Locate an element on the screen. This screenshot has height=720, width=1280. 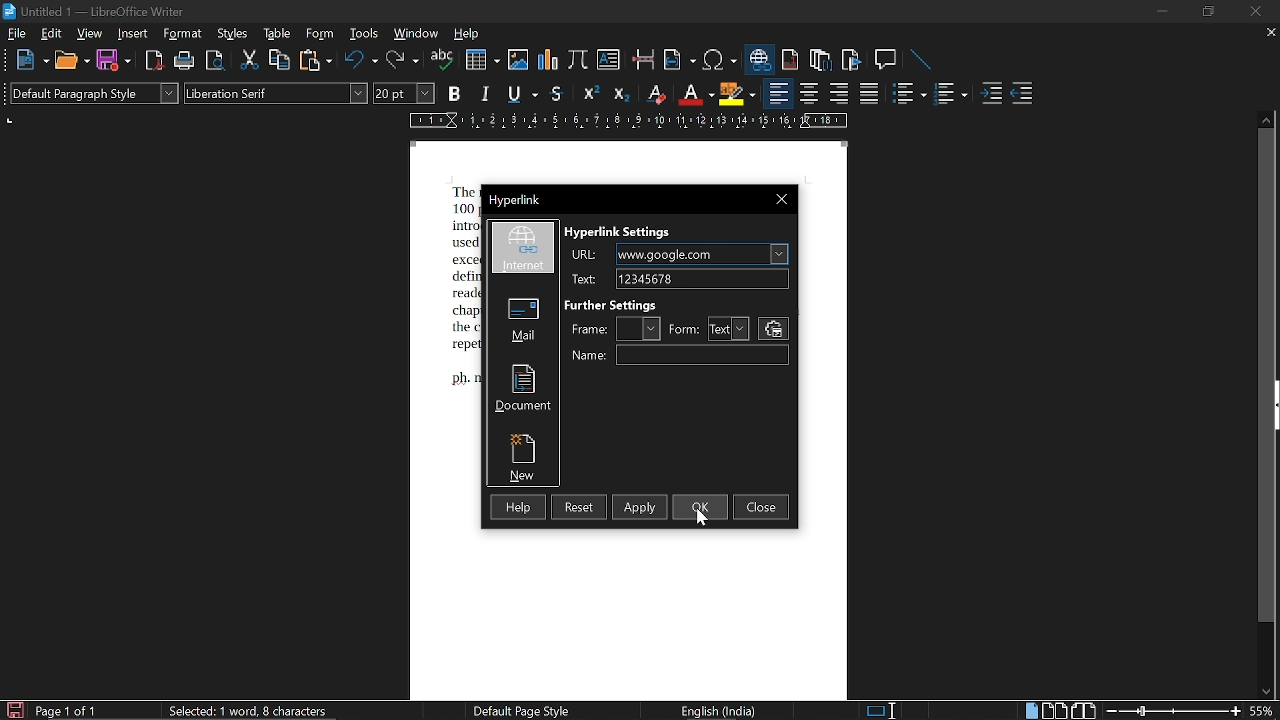
spell check is located at coordinates (443, 61).